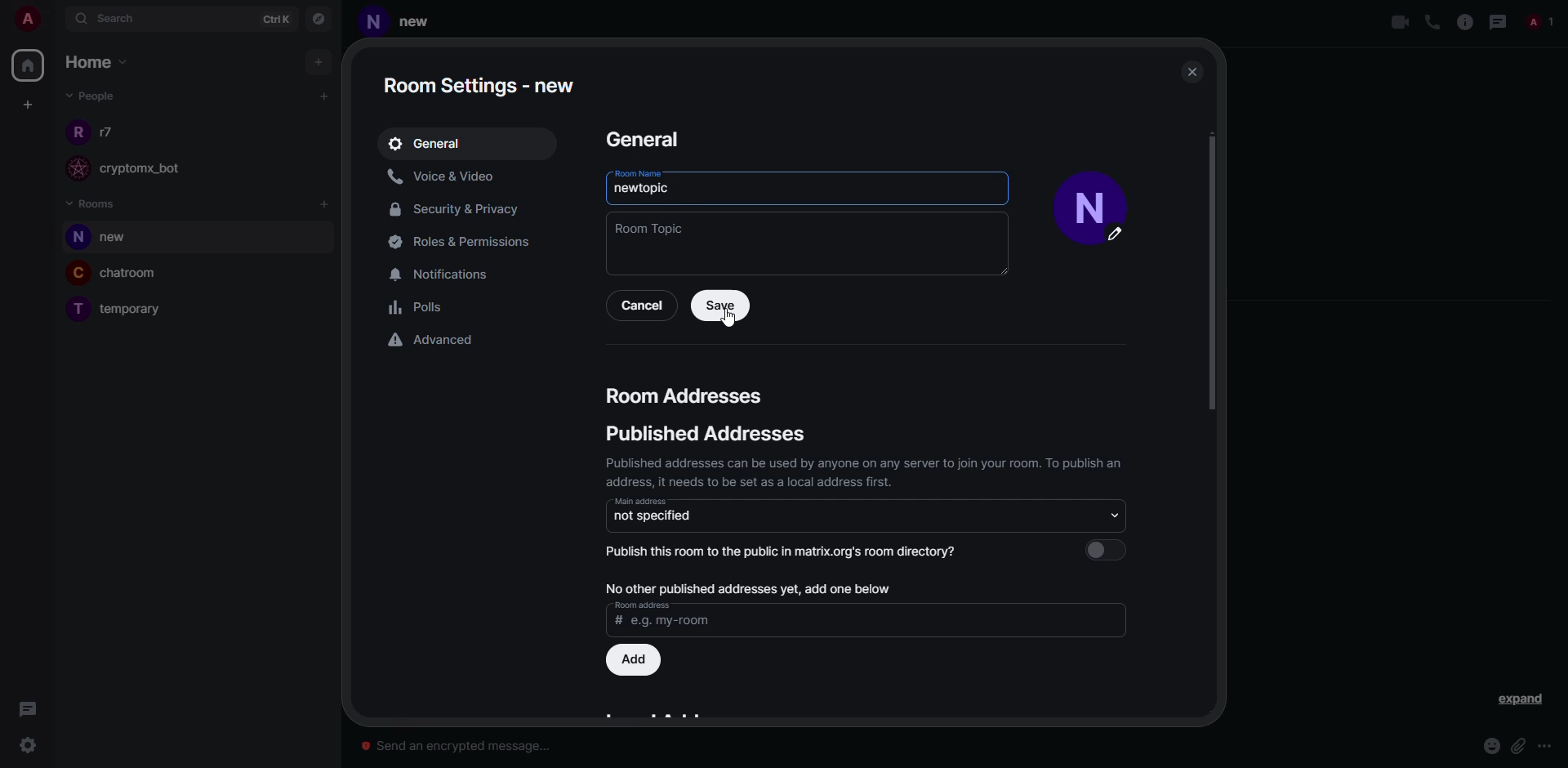 The height and width of the screenshot is (768, 1568). I want to click on settings, so click(29, 745).